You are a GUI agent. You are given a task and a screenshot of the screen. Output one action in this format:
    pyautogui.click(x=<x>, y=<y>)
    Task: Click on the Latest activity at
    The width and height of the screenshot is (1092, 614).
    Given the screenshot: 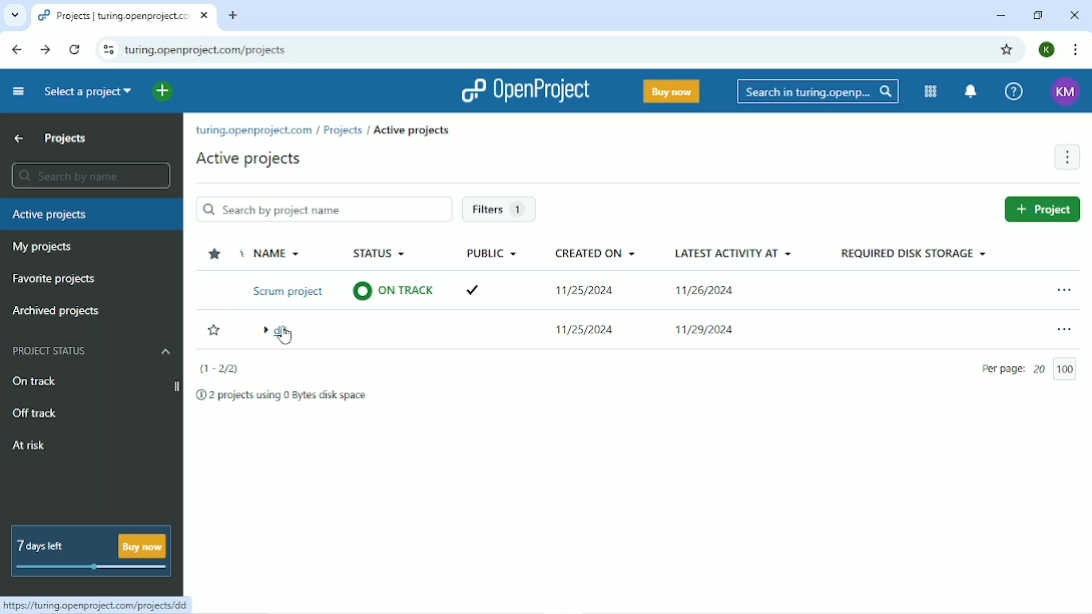 What is the action you would take?
    pyautogui.click(x=731, y=254)
    